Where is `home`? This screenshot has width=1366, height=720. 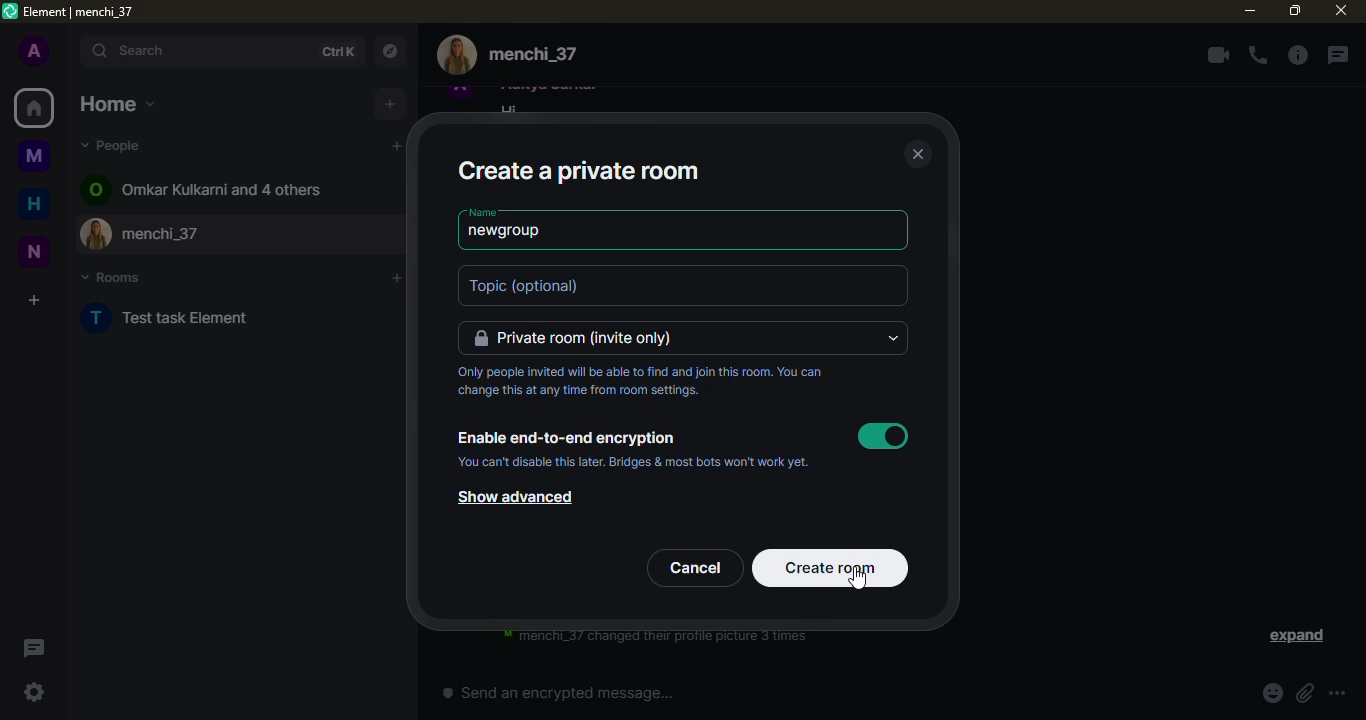
home is located at coordinates (118, 104).